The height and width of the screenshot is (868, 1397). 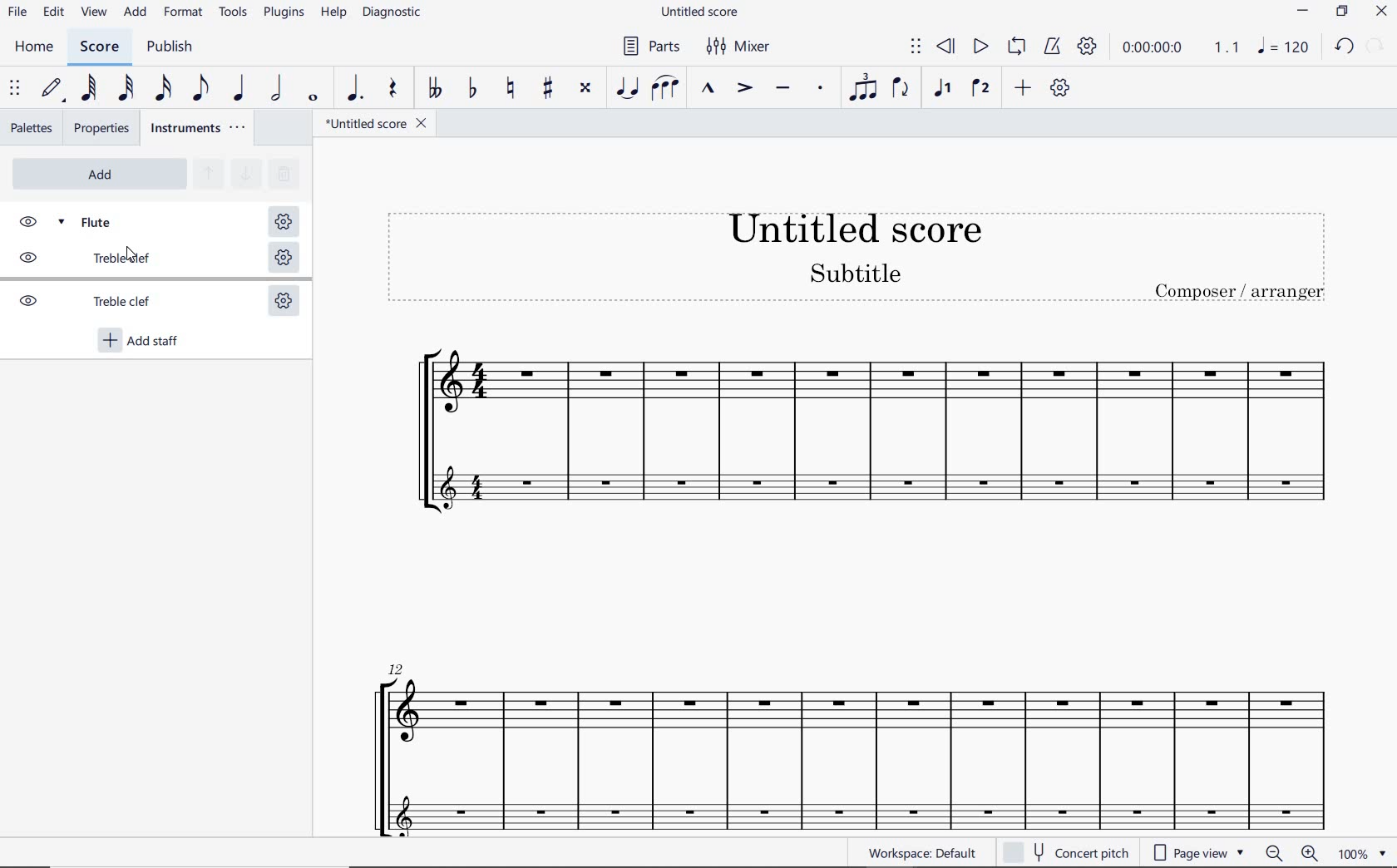 What do you see at coordinates (1381, 12) in the screenshot?
I see `CLOSE` at bounding box center [1381, 12].